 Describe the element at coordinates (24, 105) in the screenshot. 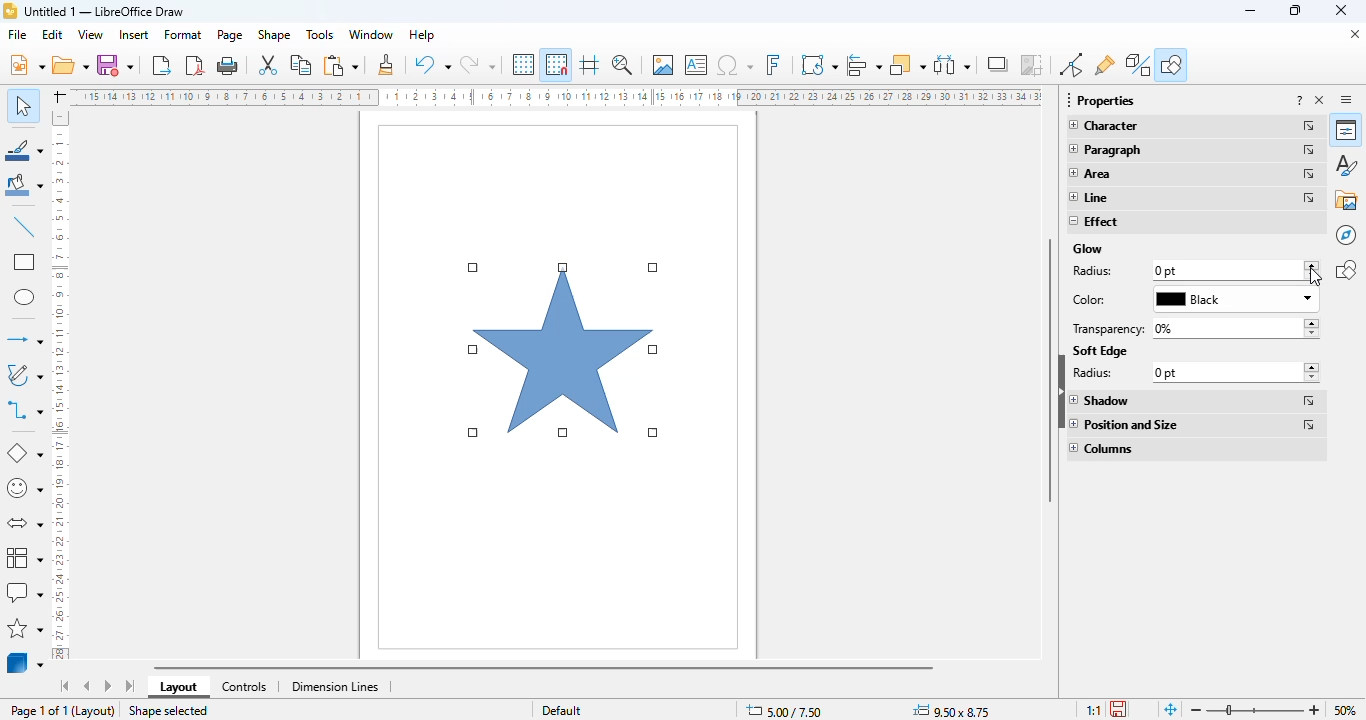

I see `select` at that location.